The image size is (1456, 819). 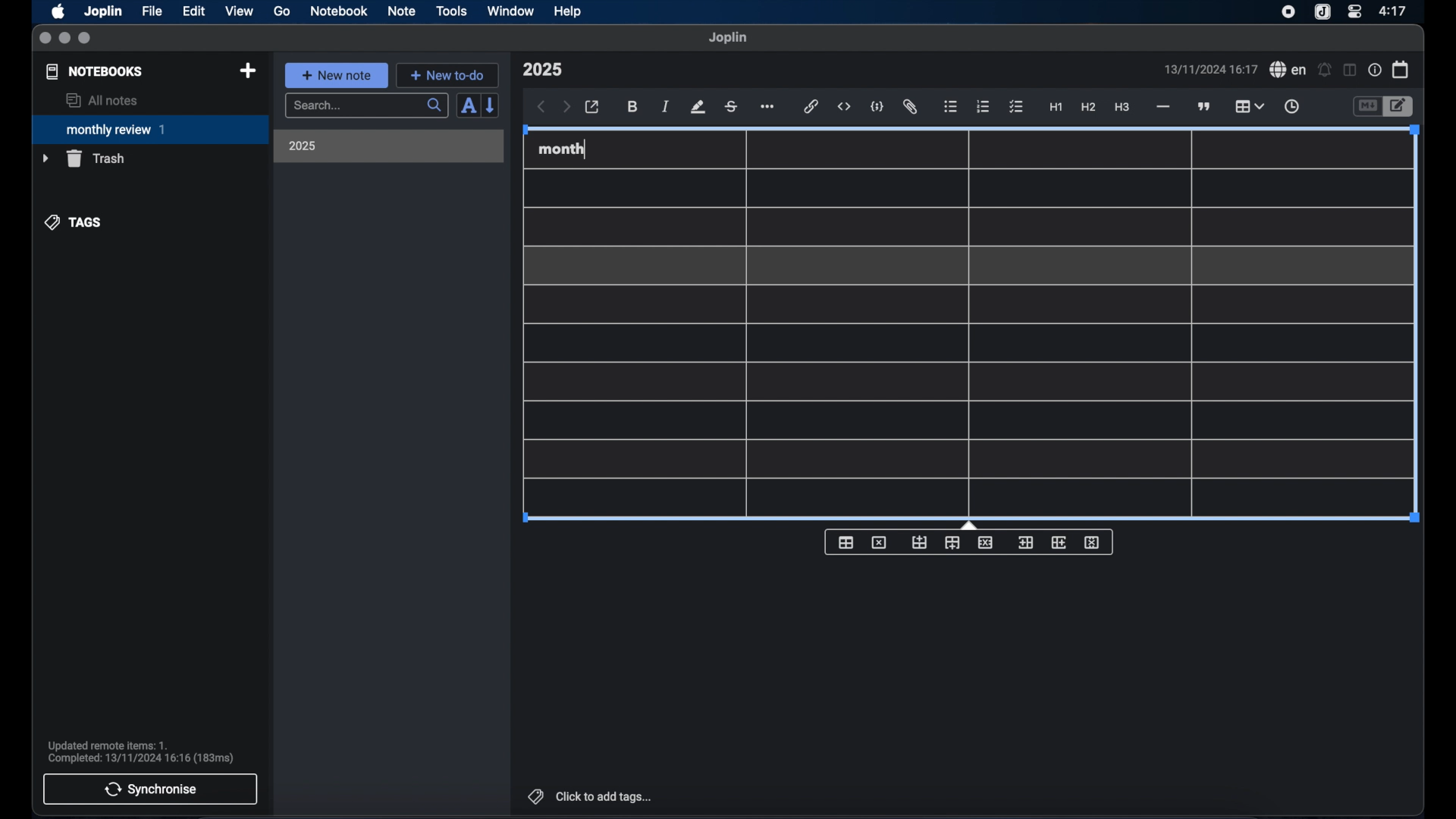 What do you see at coordinates (1016, 108) in the screenshot?
I see `check  list` at bounding box center [1016, 108].